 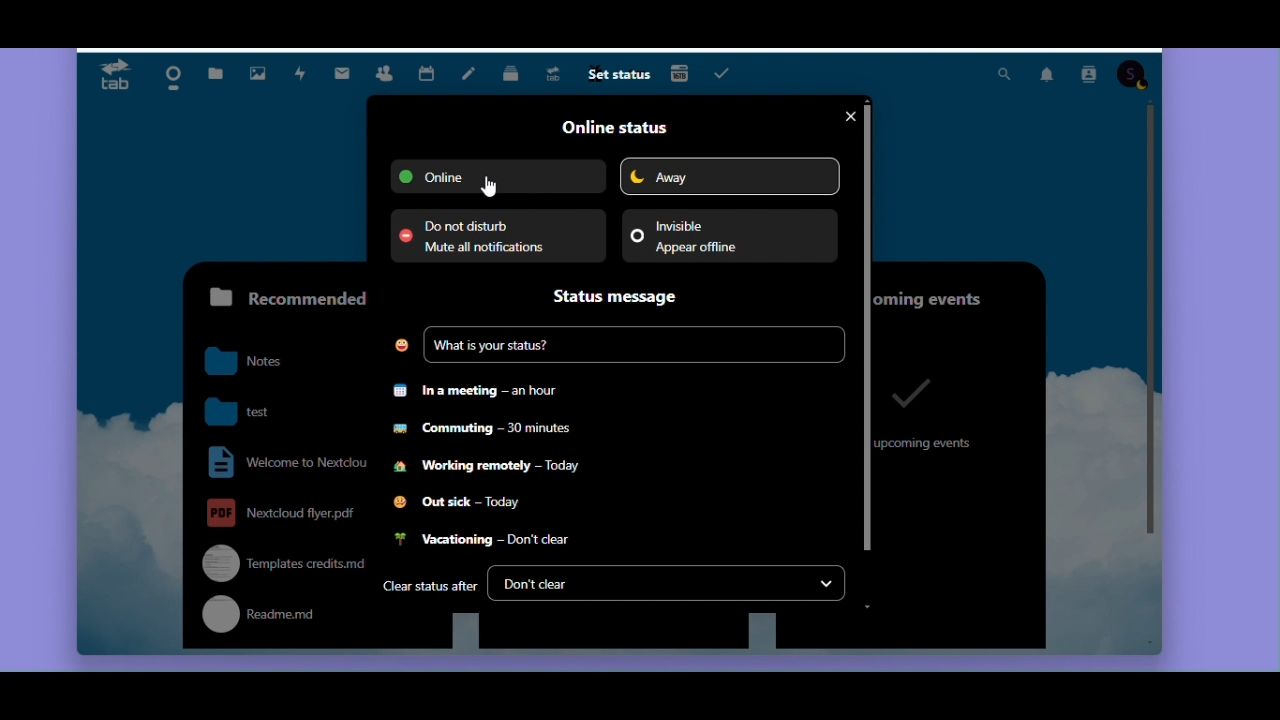 What do you see at coordinates (111, 78) in the screenshot?
I see `` at bounding box center [111, 78].